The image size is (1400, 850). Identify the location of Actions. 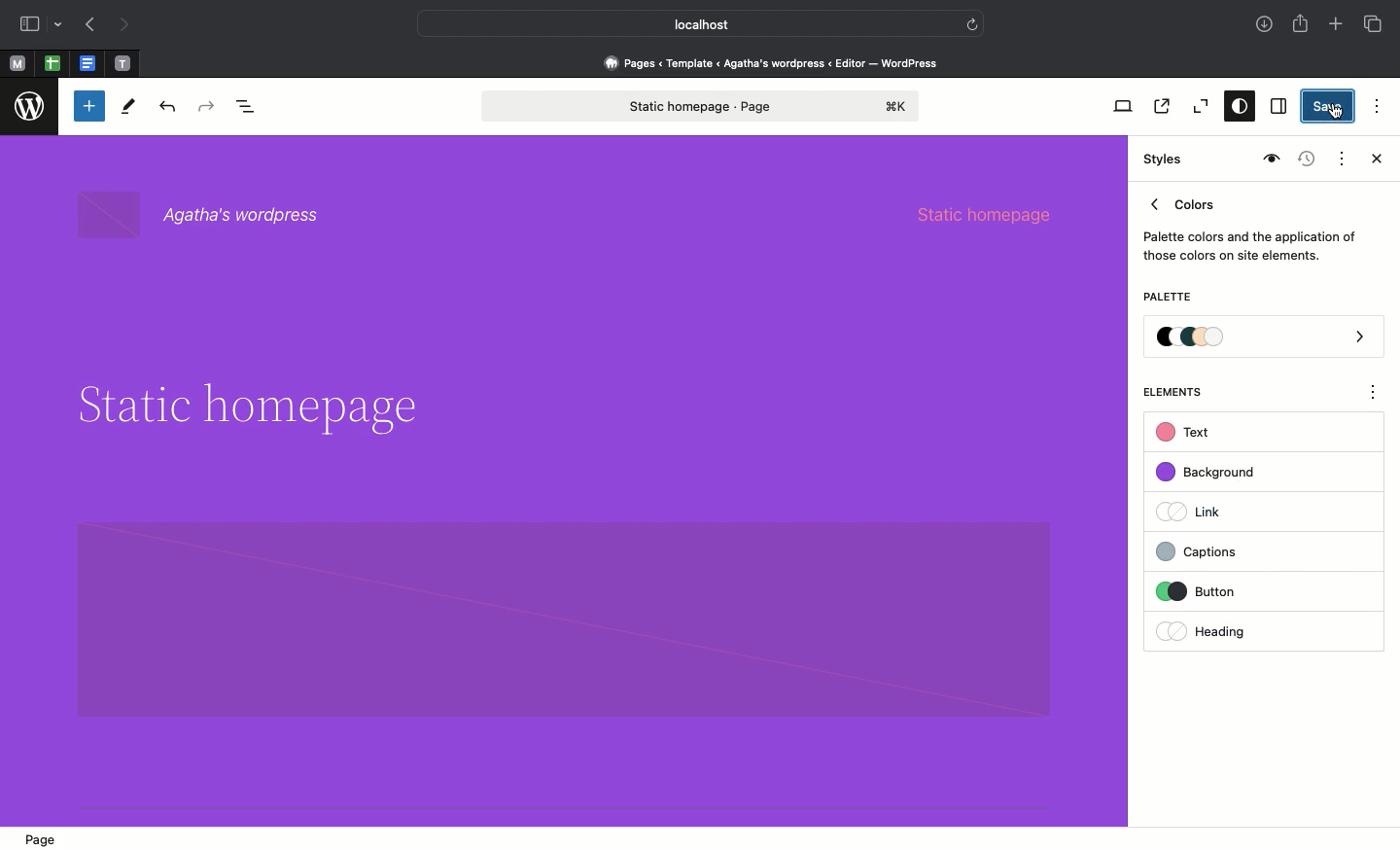
(1340, 157).